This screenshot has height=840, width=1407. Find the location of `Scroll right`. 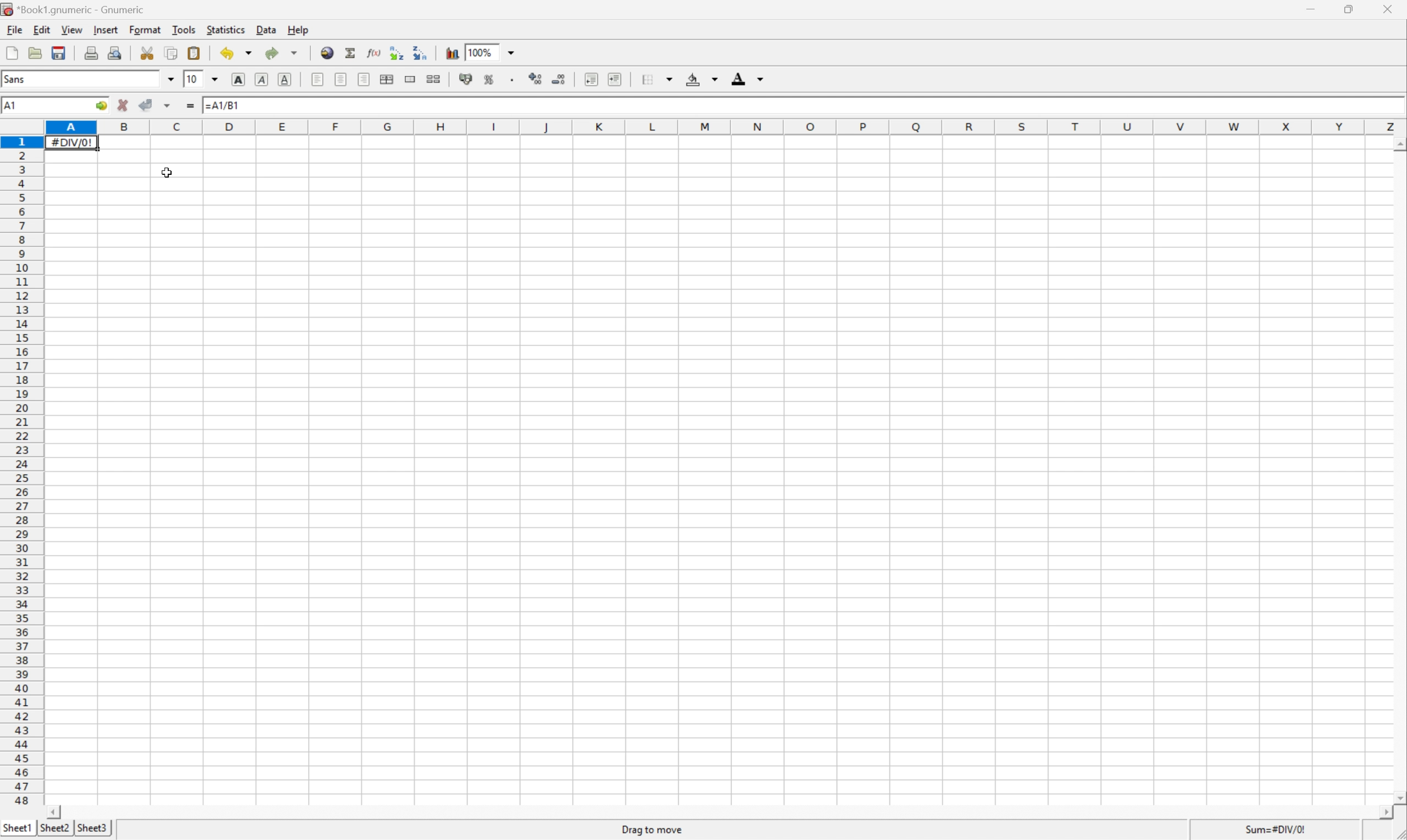

Scroll right is located at coordinates (1375, 813).